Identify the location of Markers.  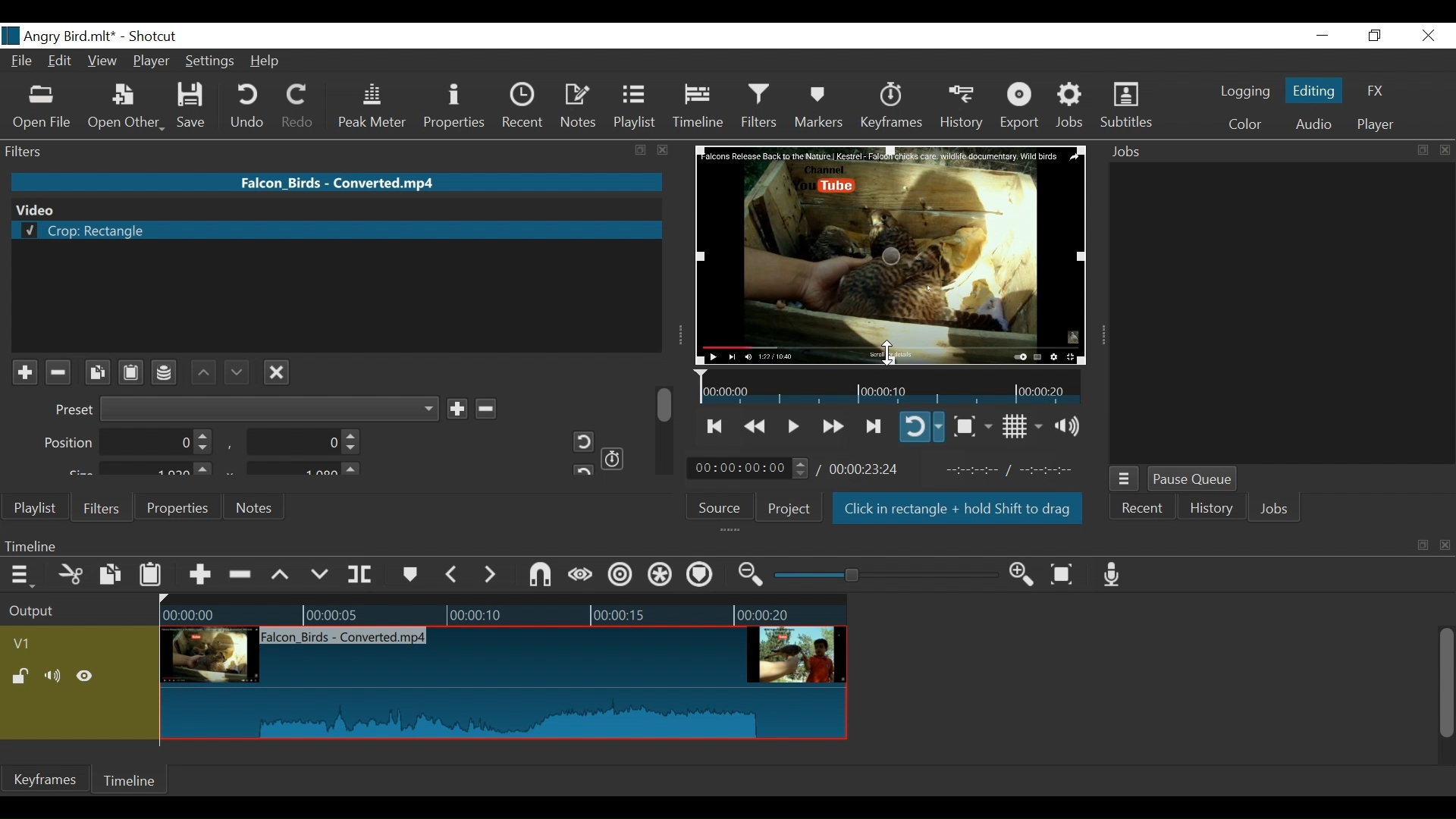
(818, 106).